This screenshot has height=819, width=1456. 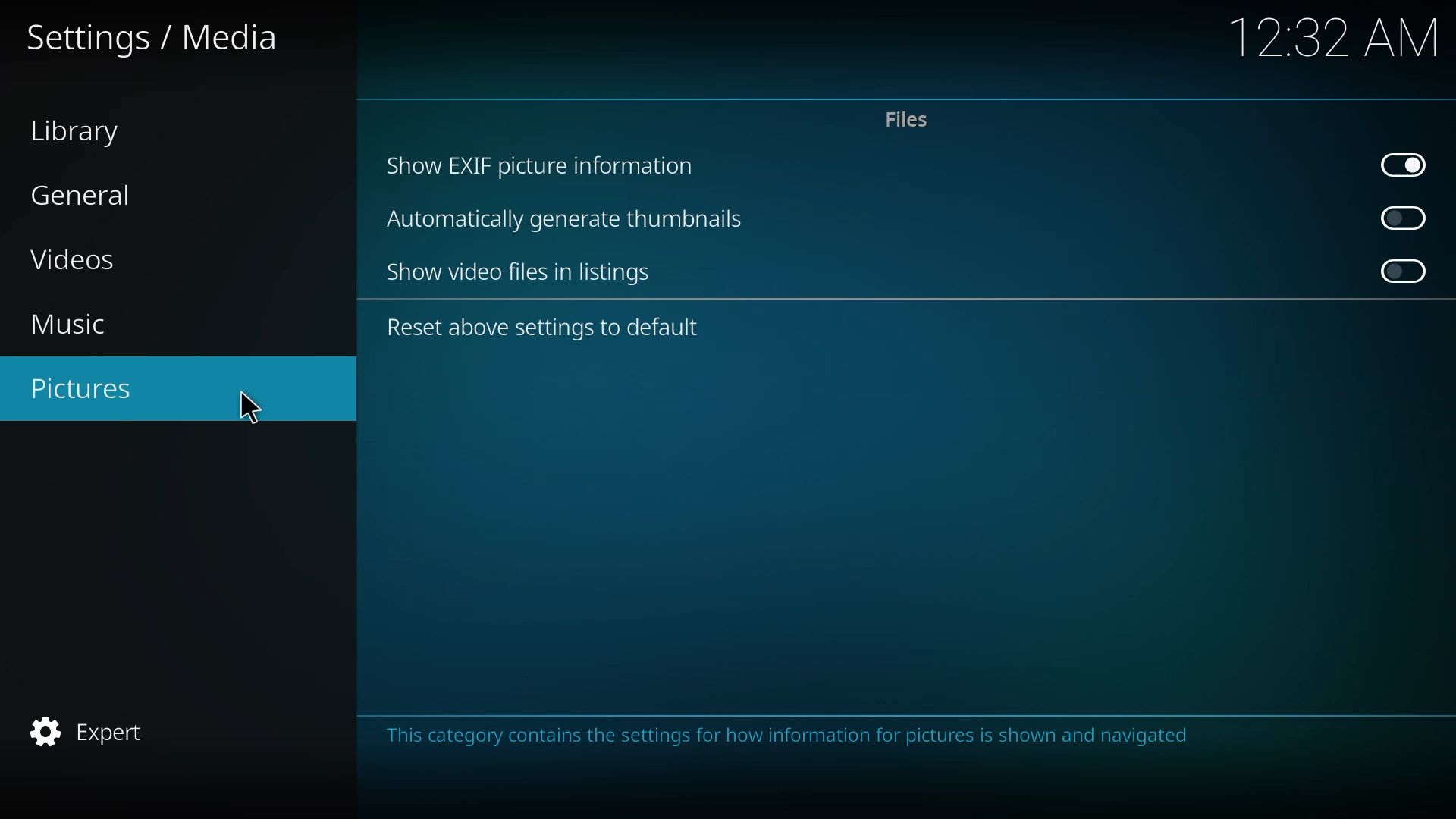 I want to click on cursor, so click(x=251, y=408).